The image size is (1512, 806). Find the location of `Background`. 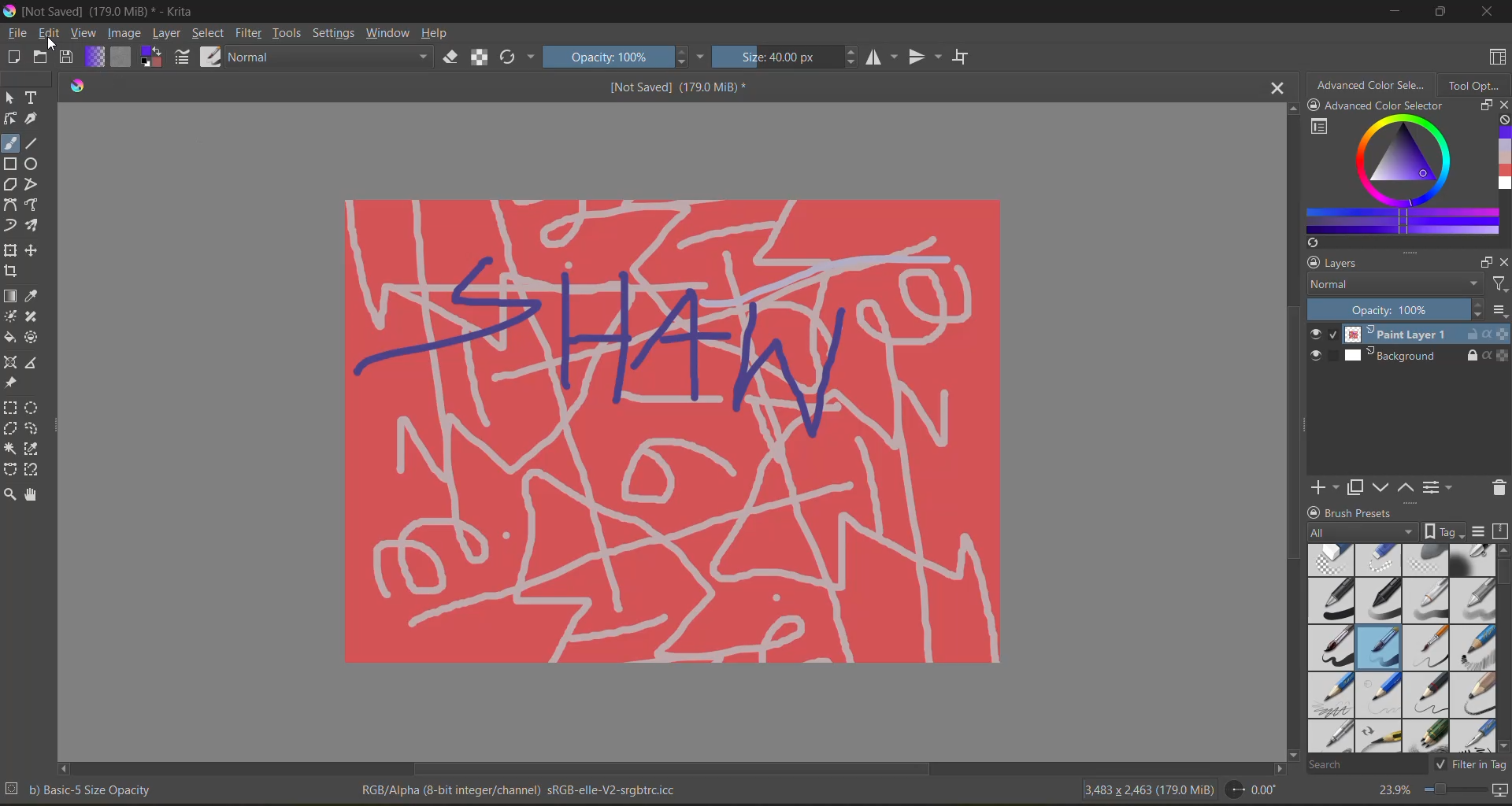

Background is located at coordinates (1423, 357).